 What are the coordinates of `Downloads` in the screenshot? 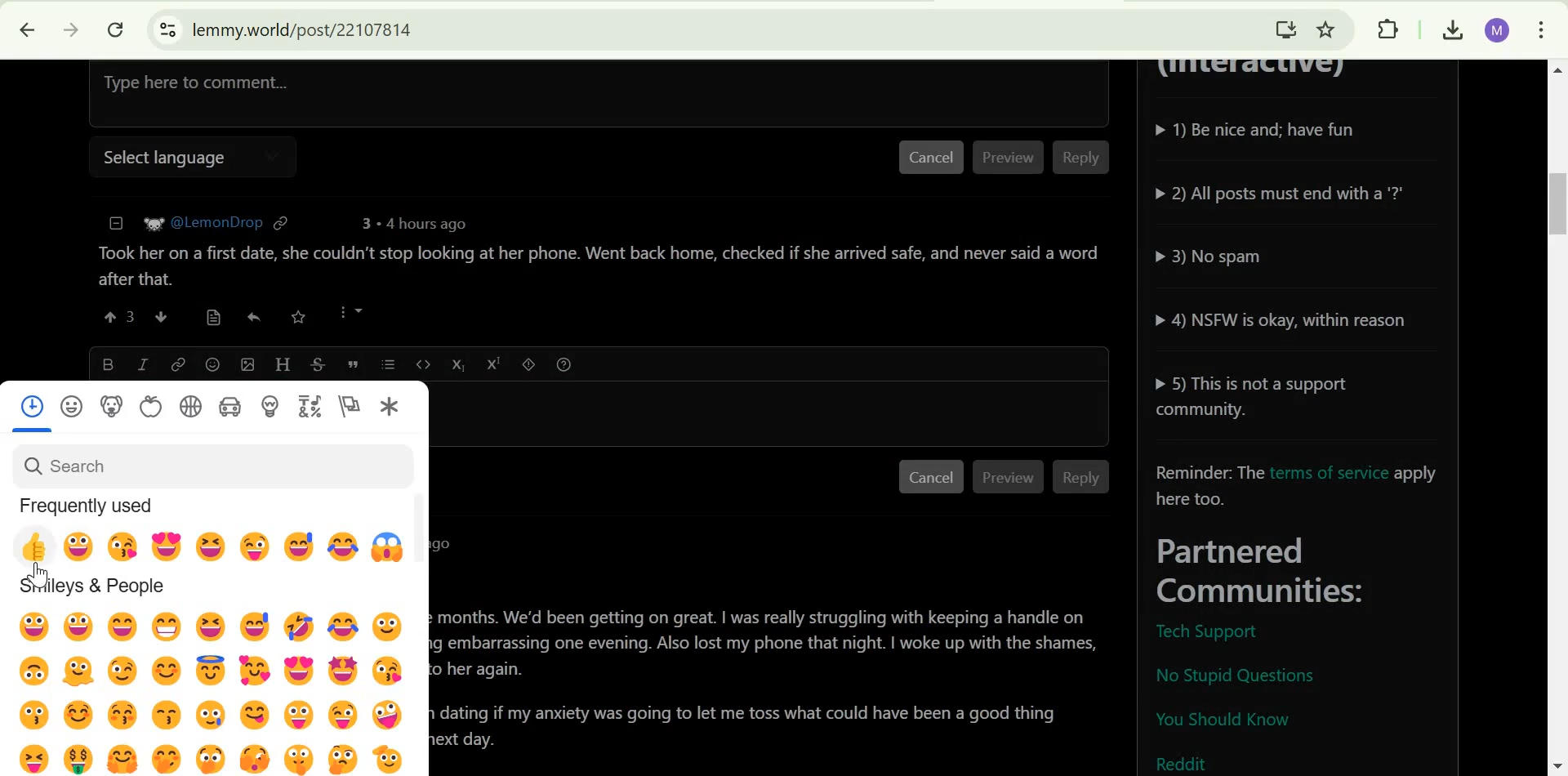 It's located at (1452, 31).